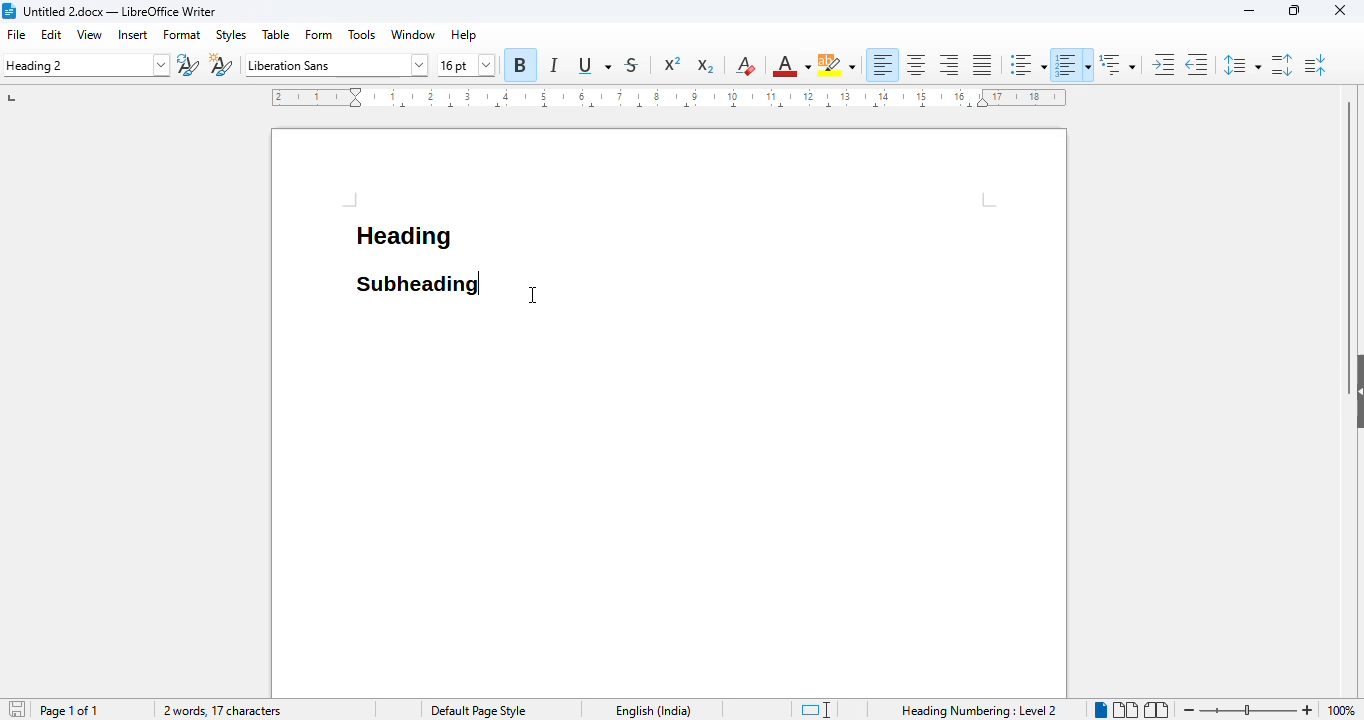  I want to click on save, so click(19, 703).